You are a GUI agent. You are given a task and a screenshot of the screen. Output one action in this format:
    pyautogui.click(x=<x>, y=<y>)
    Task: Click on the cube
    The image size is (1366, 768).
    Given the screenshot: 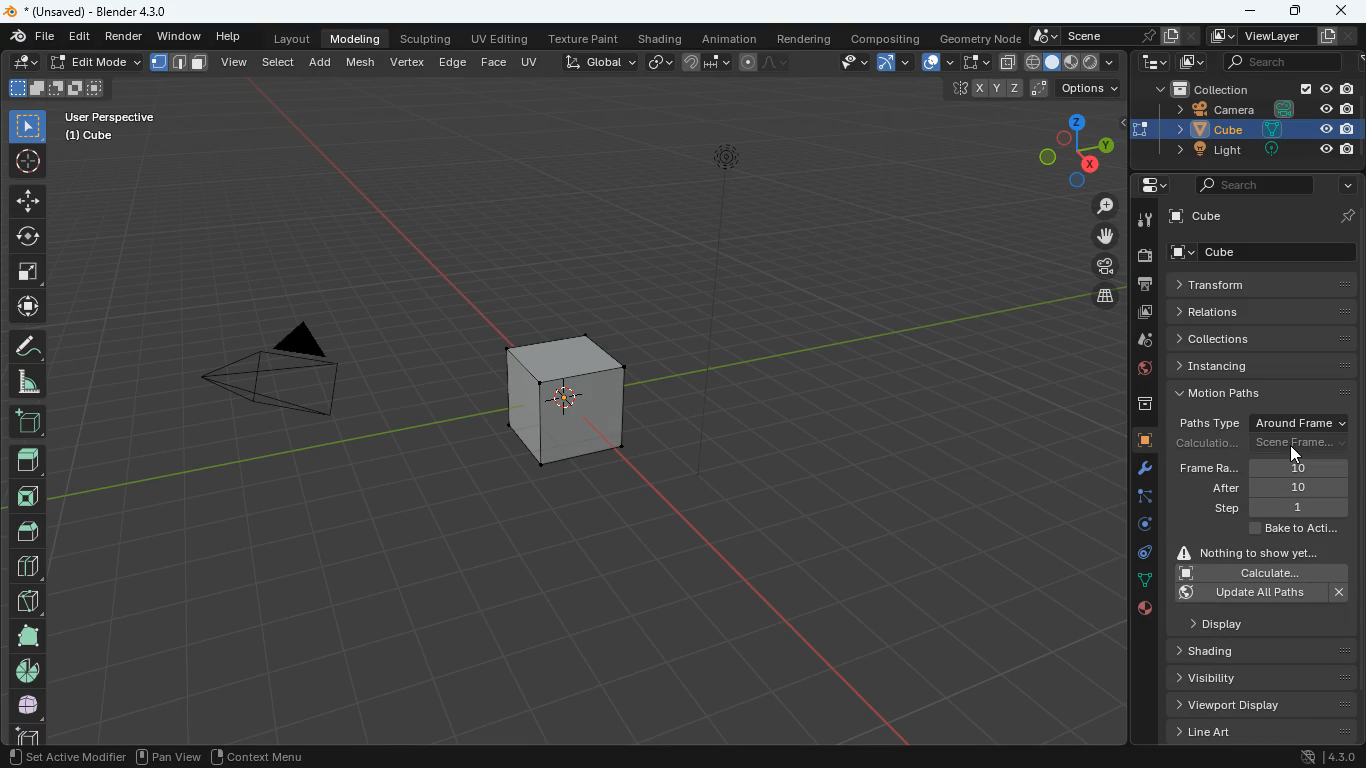 What is the action you would take?
    pyautogui.click(x=1265, y=215)
    